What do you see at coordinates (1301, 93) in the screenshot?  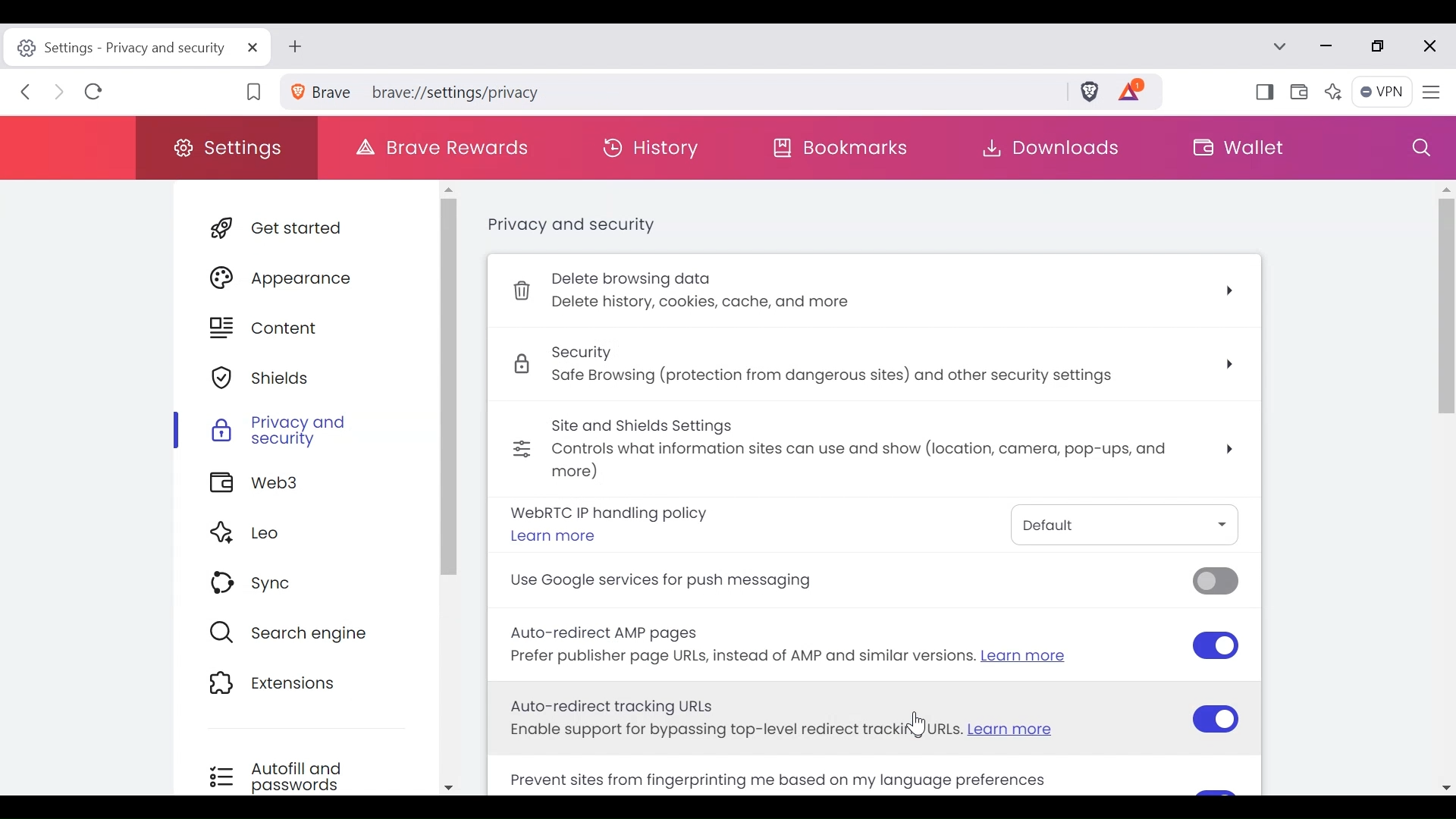 I see `Wallet` at bounding box center [1301, 93].